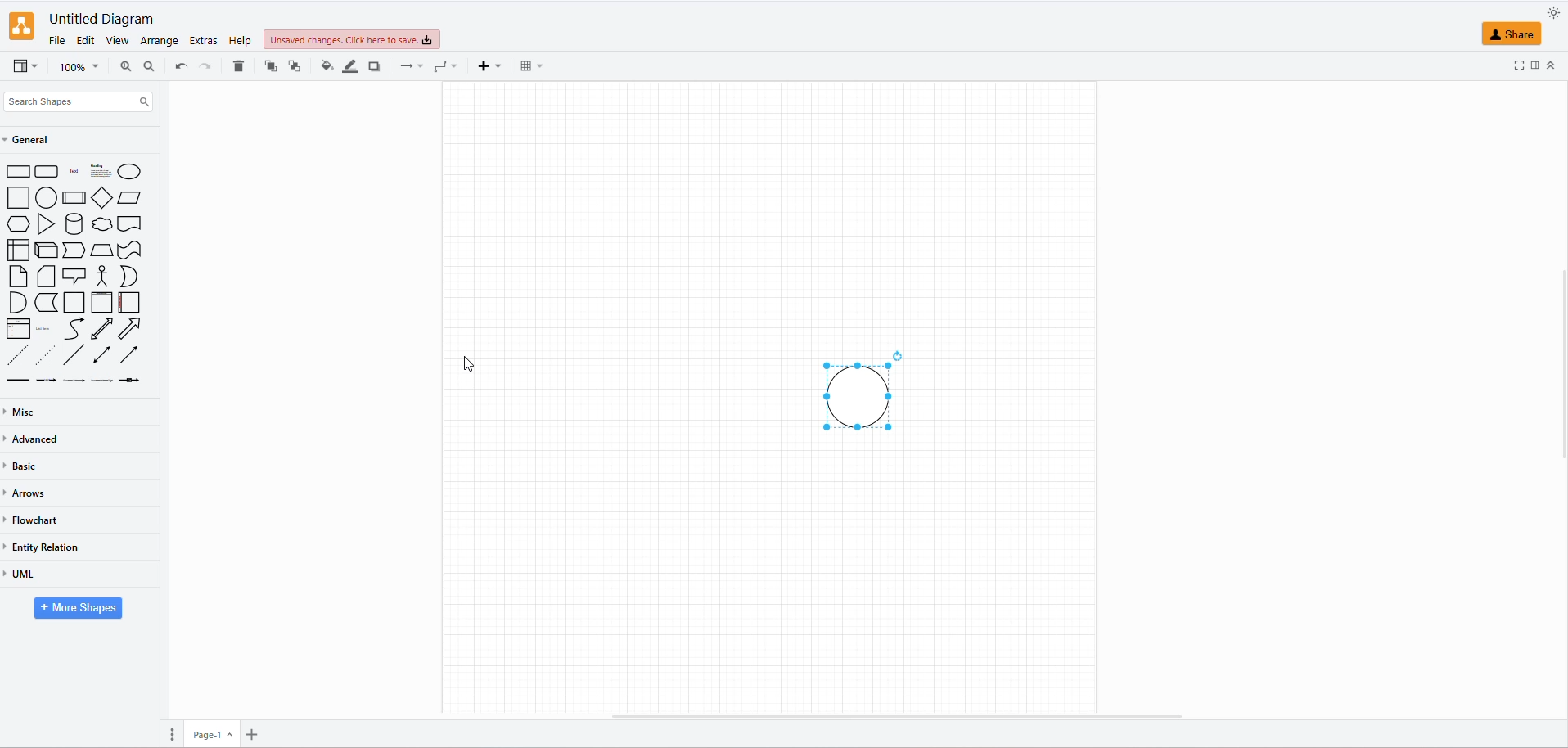 Image resolution: width=1568 pixels, height=748 pixels. Describe the element at coordinates (87, 173) in the screenshot. I see `shape` at that location.